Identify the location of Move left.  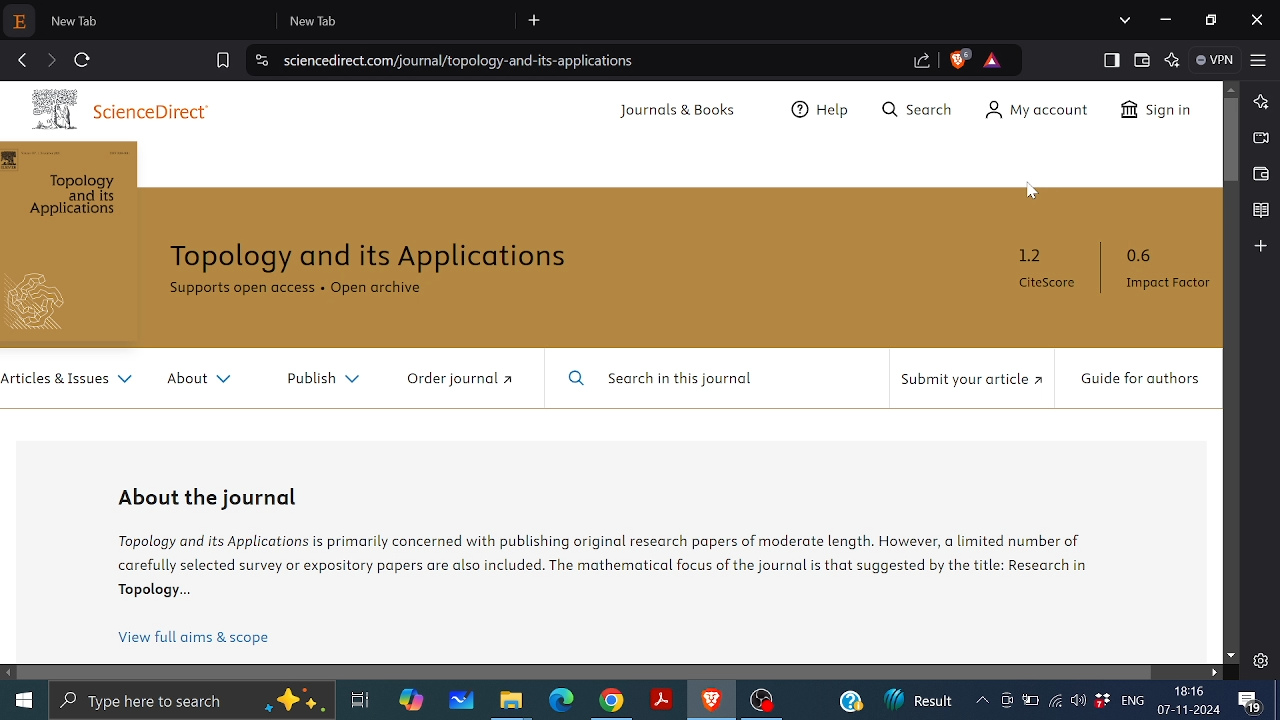
(9, 673).